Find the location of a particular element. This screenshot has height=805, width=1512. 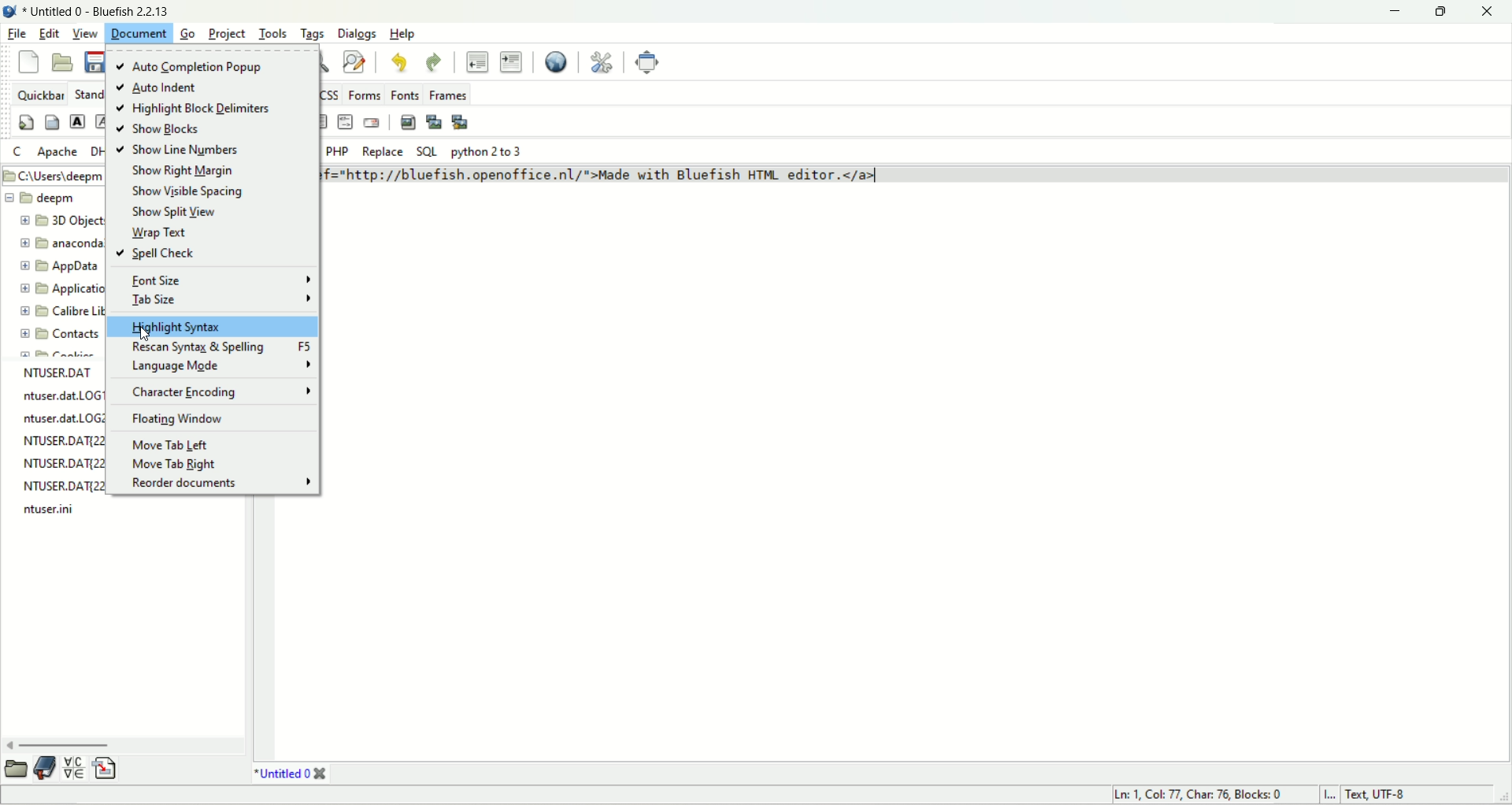

documentation is located at coordinates (46, 766).